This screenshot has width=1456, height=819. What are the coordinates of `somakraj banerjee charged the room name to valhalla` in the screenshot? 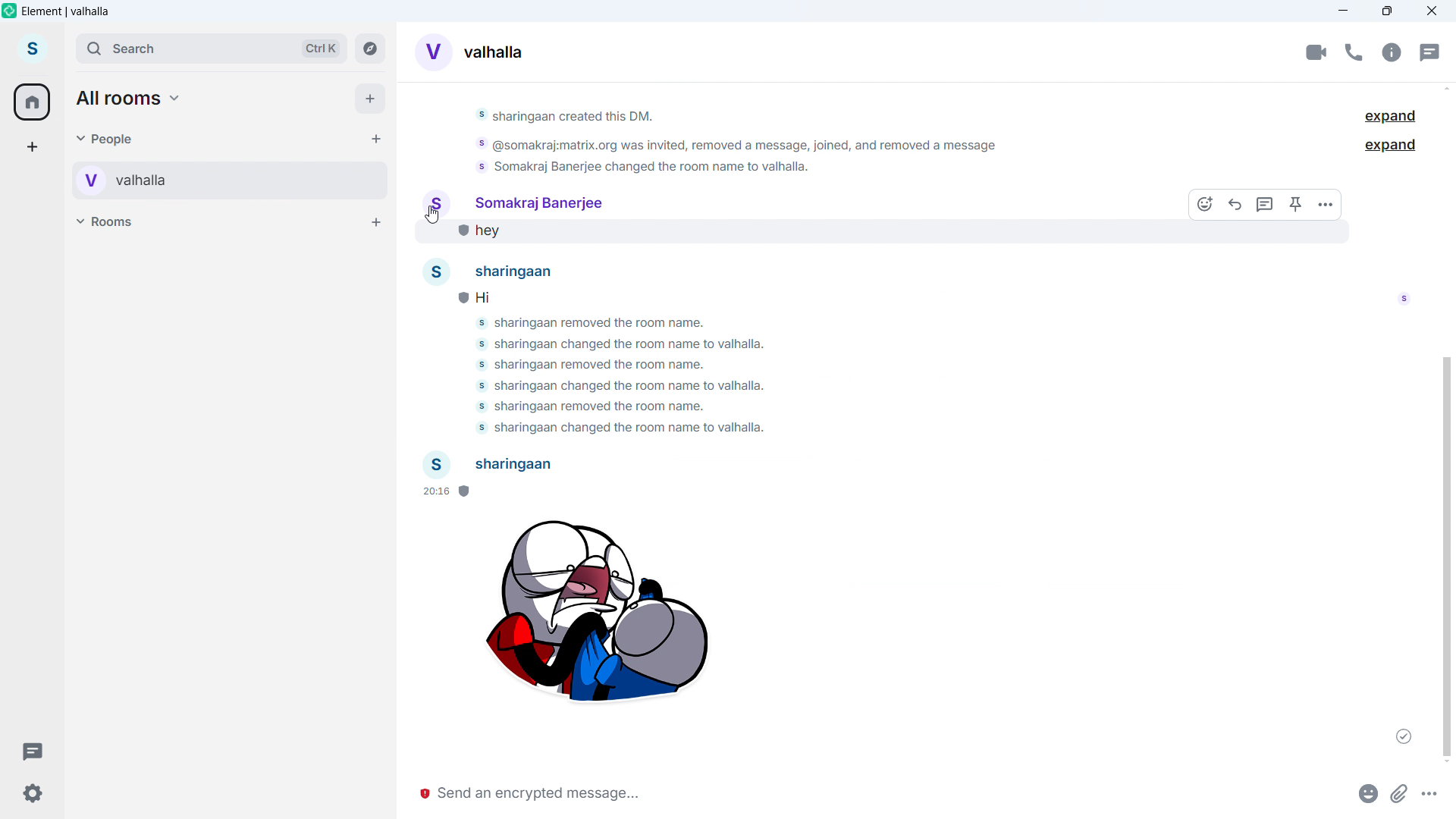 It's located at (635, 345).